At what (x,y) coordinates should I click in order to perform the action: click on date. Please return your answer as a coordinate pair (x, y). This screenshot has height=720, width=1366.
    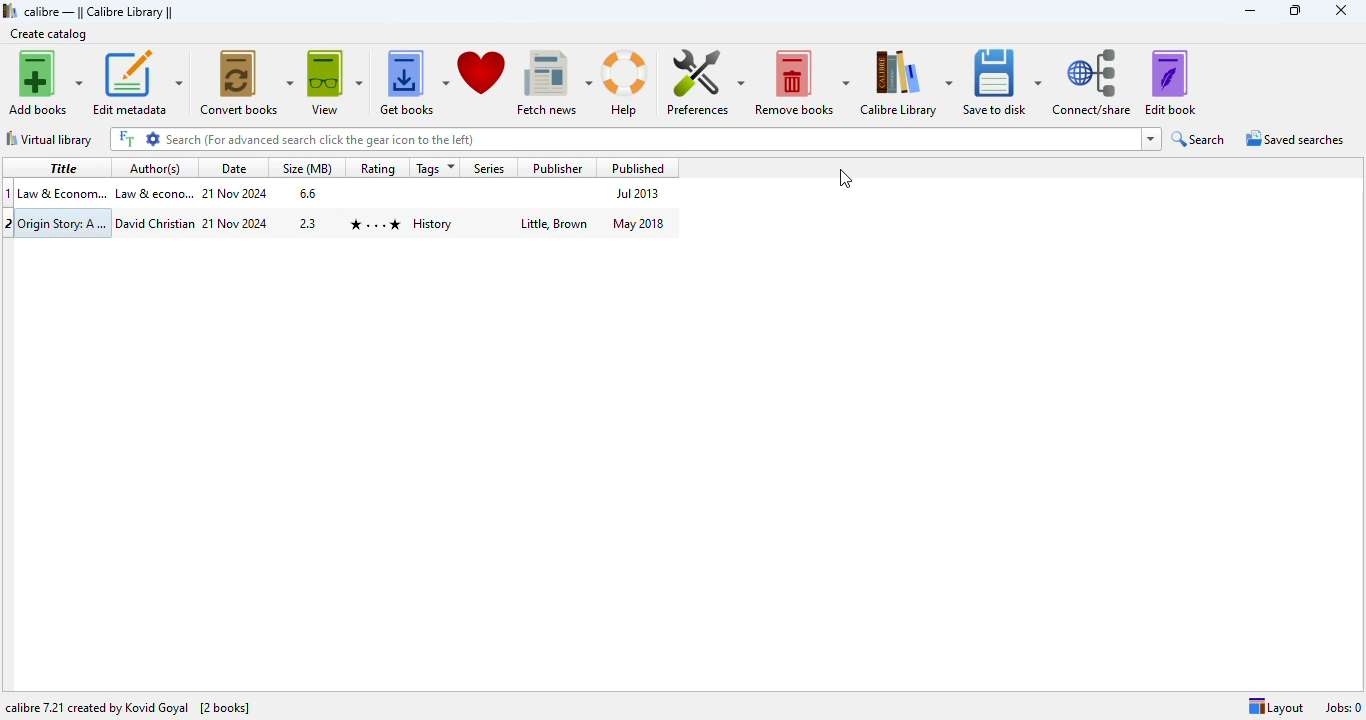
    Looking at the image, I should click on (238, 169).